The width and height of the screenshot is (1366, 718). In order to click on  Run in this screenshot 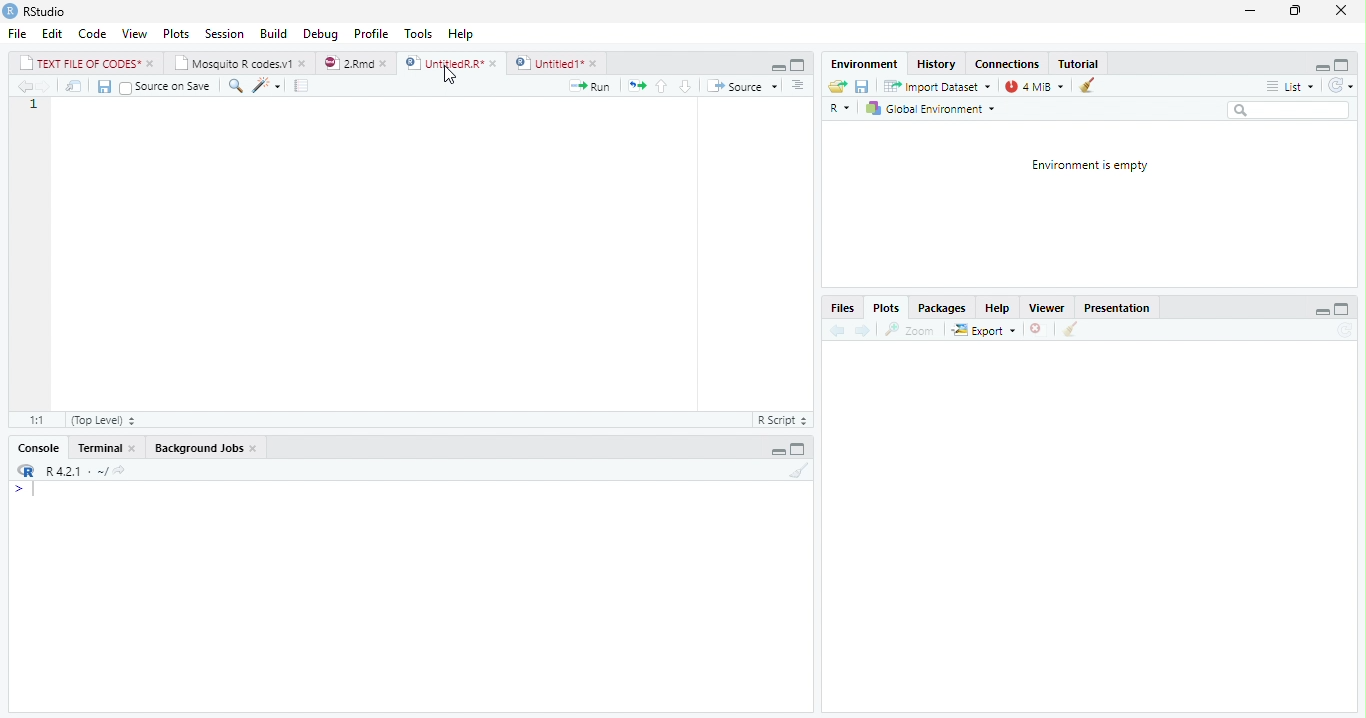, I will do `click(590, 87)`.